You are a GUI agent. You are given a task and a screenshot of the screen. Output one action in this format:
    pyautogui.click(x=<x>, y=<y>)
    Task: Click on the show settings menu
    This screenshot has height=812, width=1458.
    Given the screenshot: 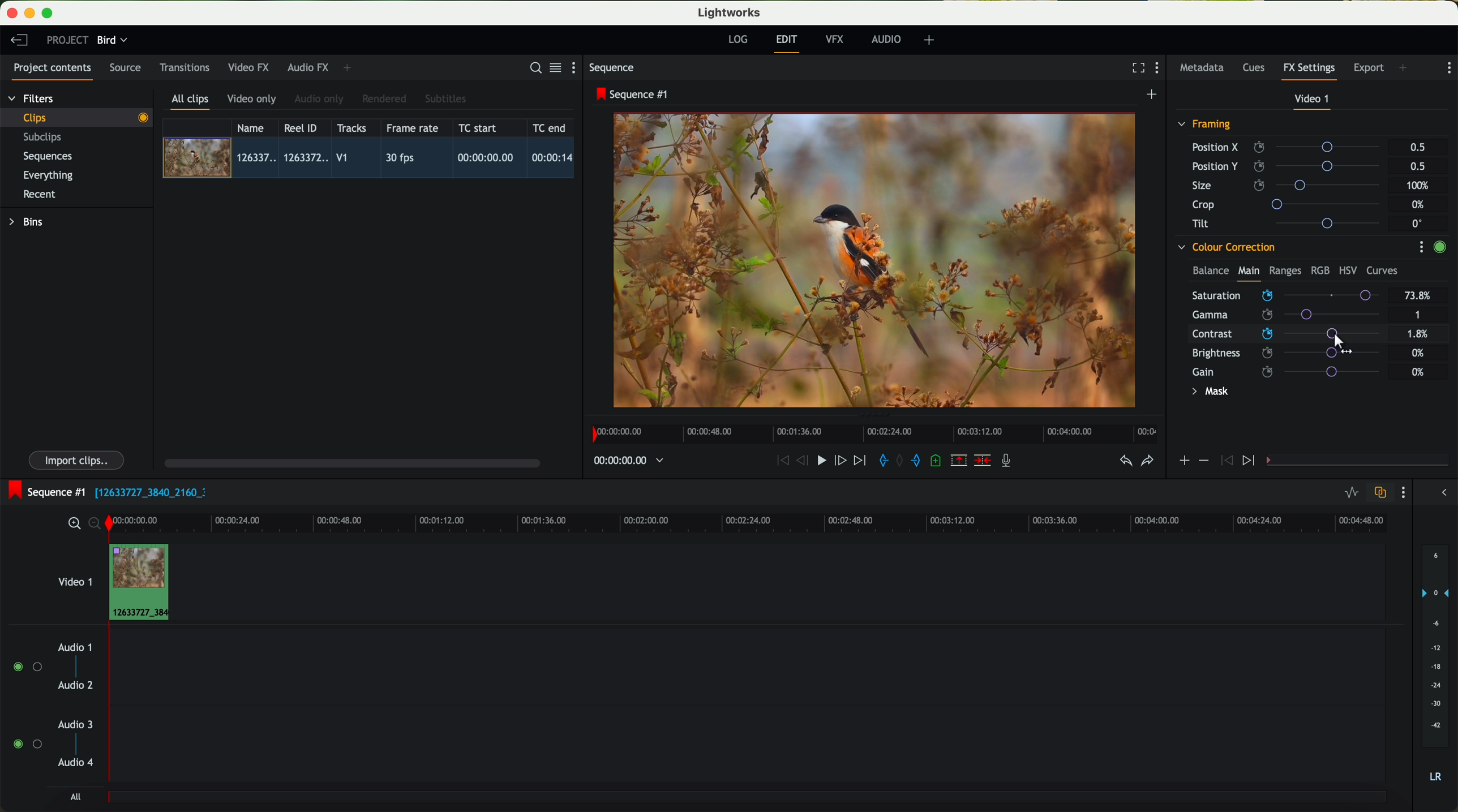 What is the action you would take?
    pyautogui.click(x=1402, y=492)
    